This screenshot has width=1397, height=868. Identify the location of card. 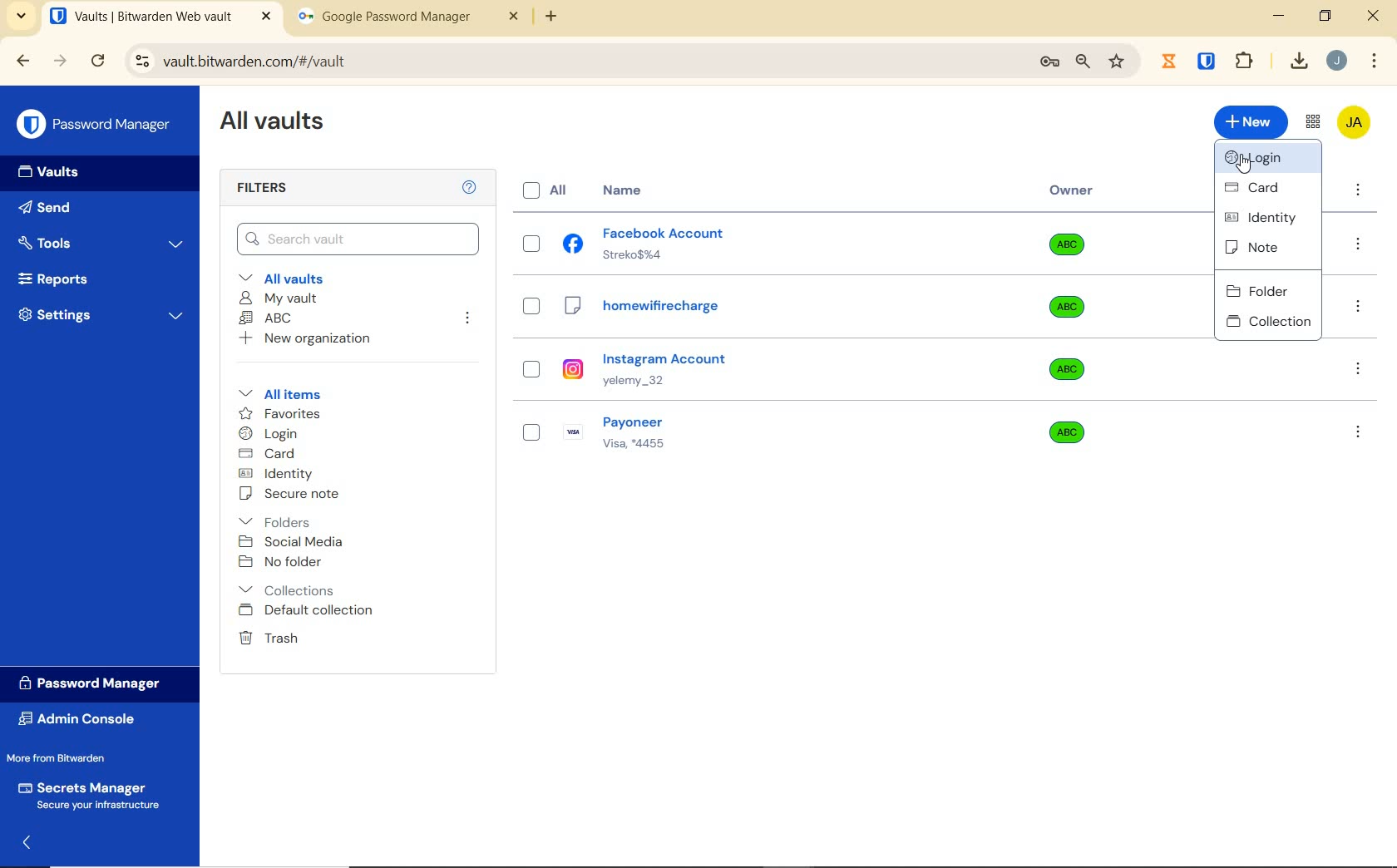
(1259, 187).